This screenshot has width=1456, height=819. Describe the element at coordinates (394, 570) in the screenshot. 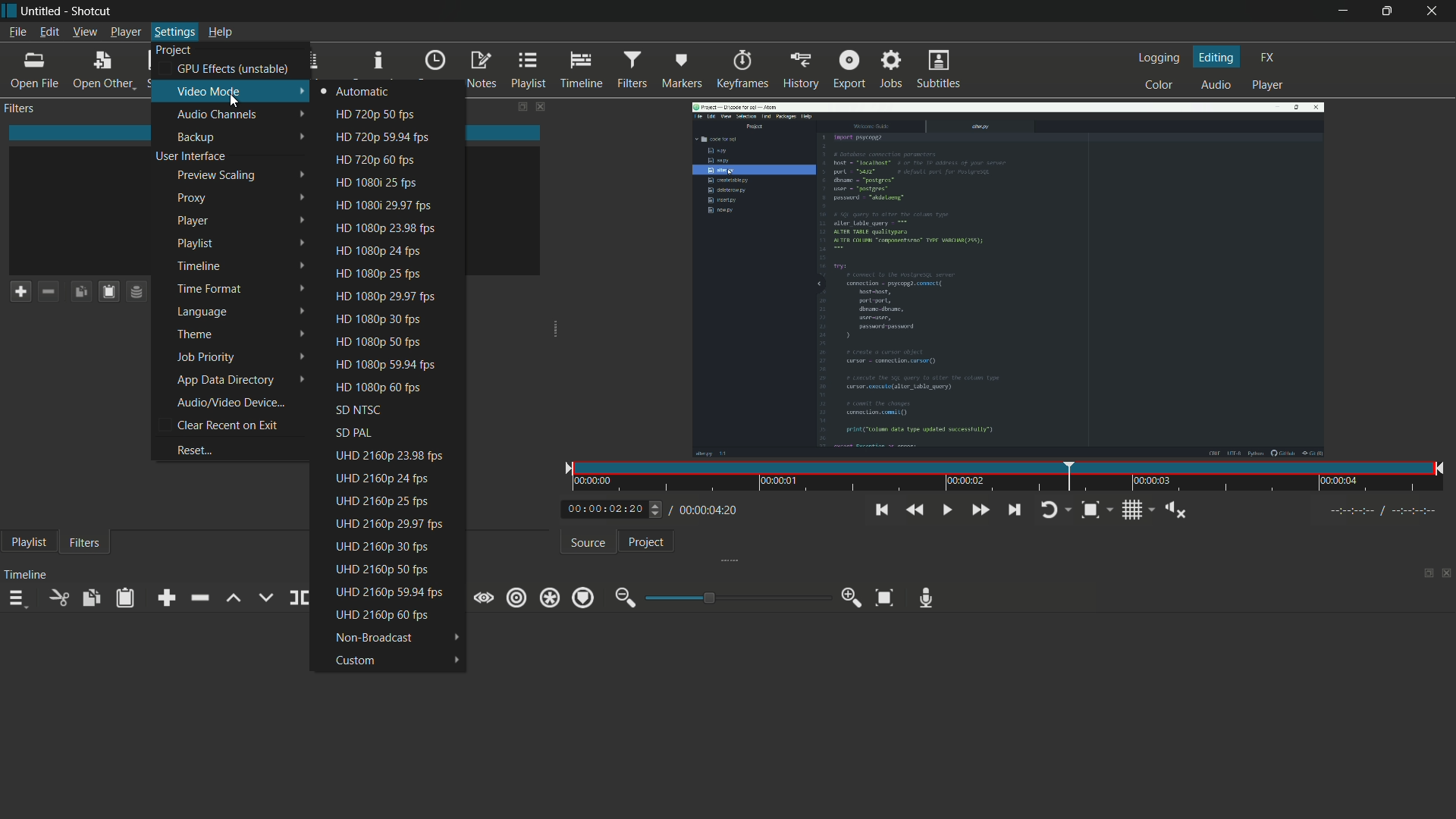

I see `uhd 2160p 50 fps` at that location.